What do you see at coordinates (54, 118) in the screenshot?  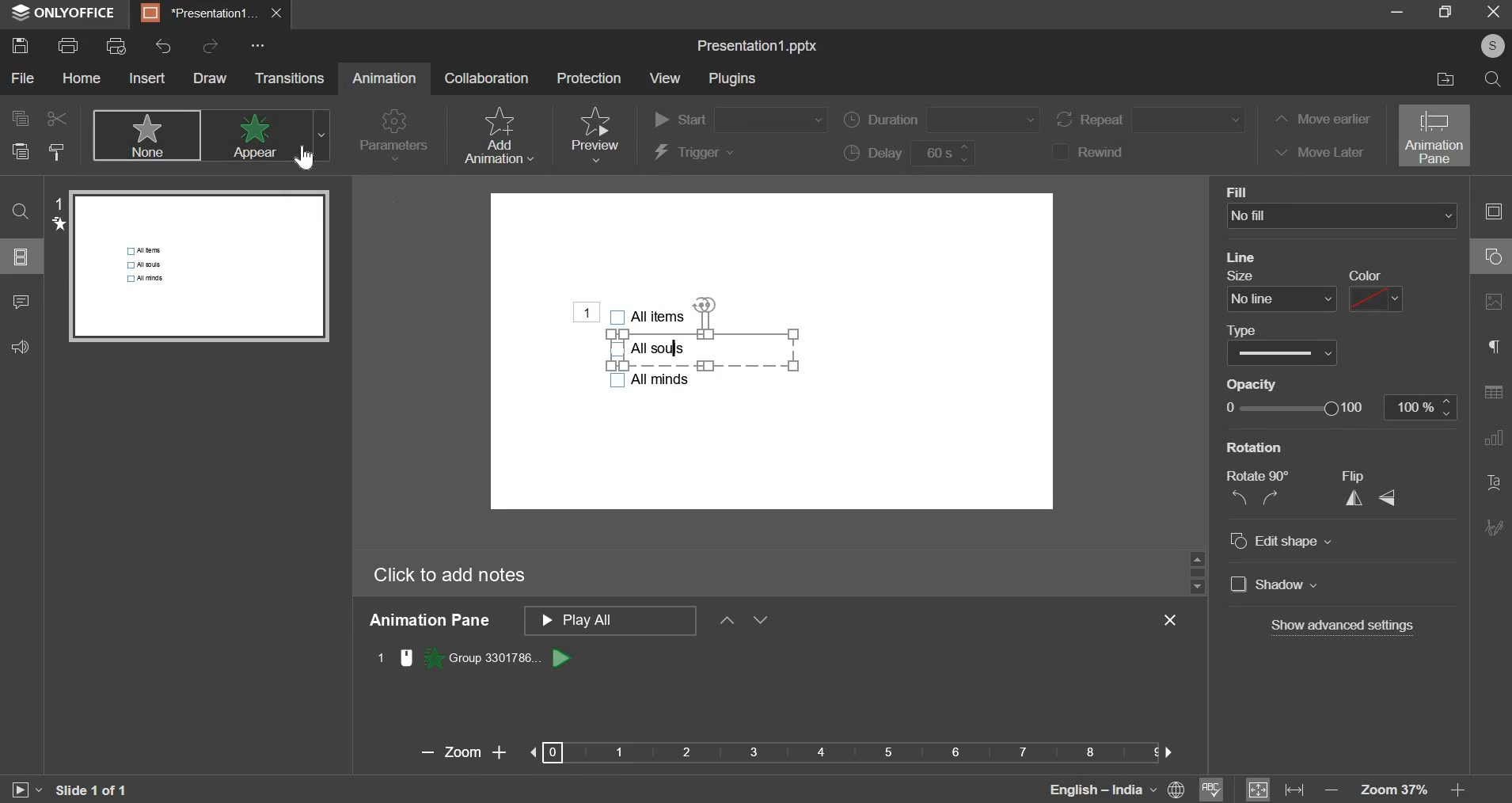 I see `cut` at bounding box center [54, 118].